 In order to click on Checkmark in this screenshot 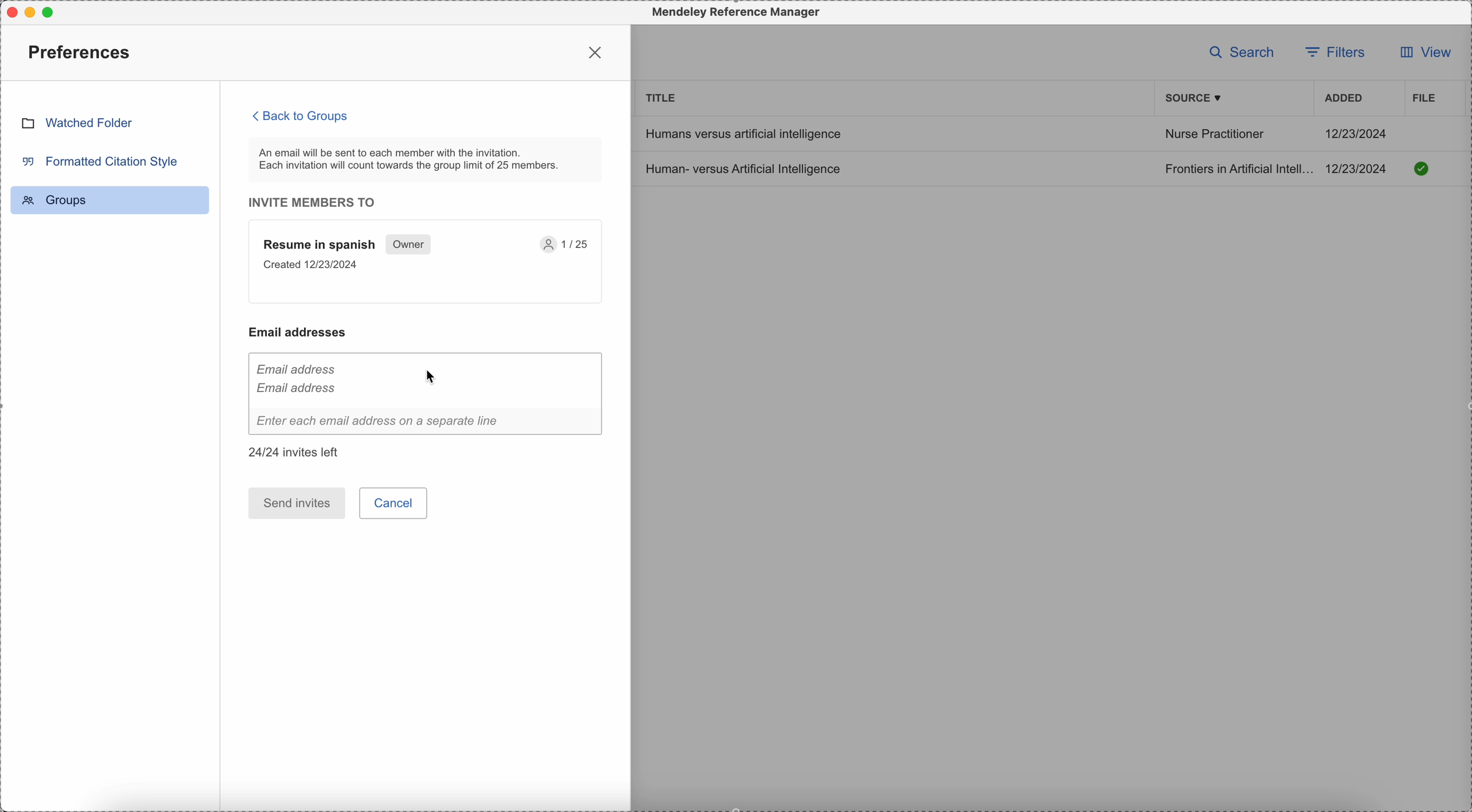, I will do `click(1422, 168)`.